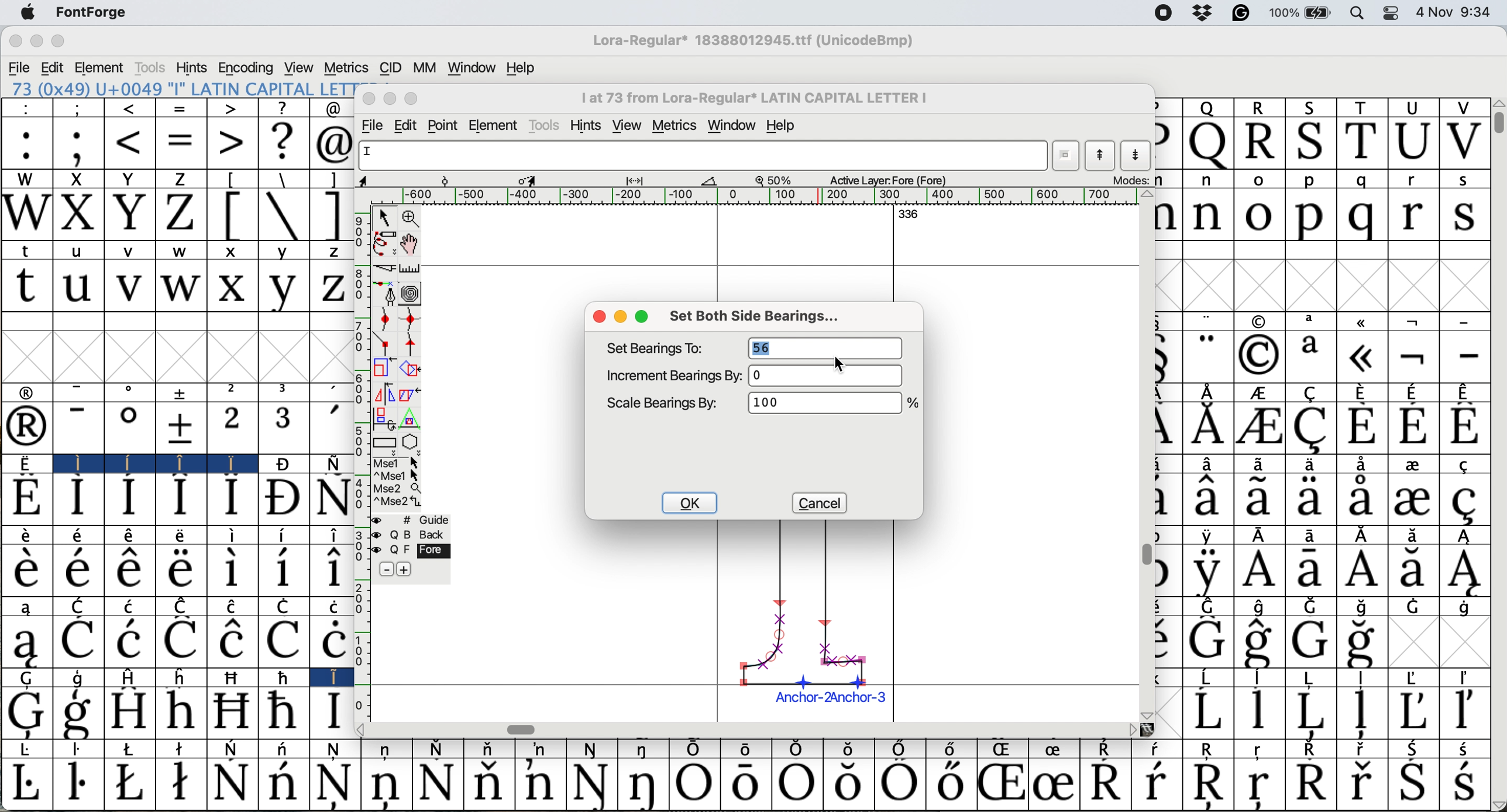 The width and height of the screenshot is (1507, 812). What do you see at coordinates (132, 749) in the screenshot?
I see `Symbol` at bounding box center [132, 749].